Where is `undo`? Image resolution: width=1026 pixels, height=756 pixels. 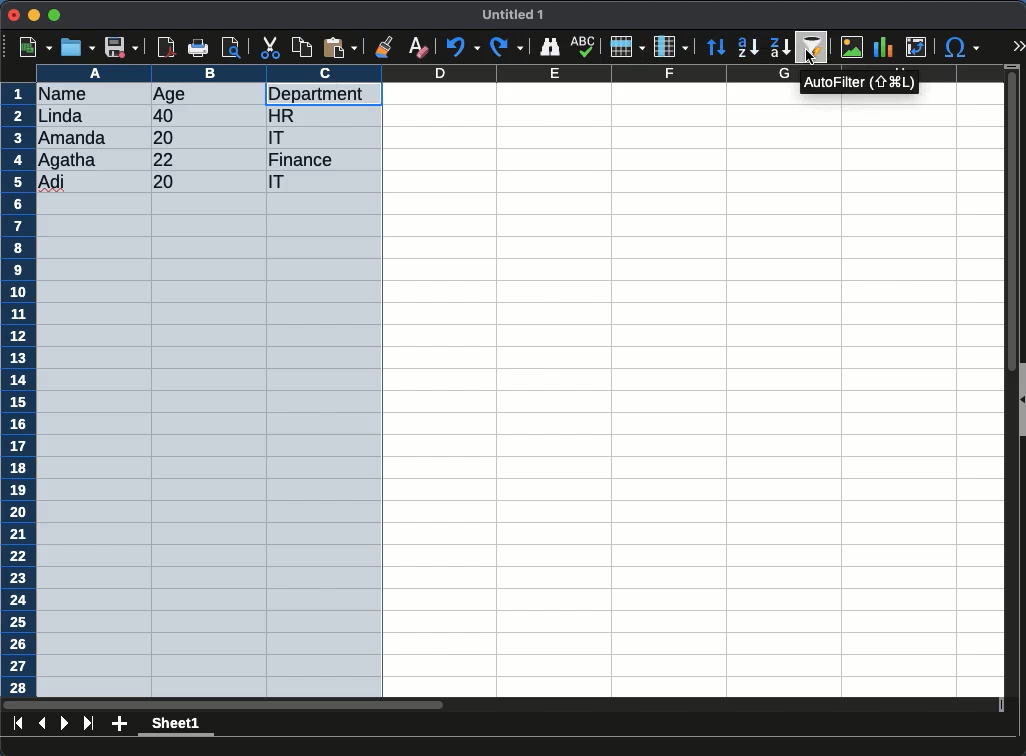 undo is located at coordinates (463, 48).